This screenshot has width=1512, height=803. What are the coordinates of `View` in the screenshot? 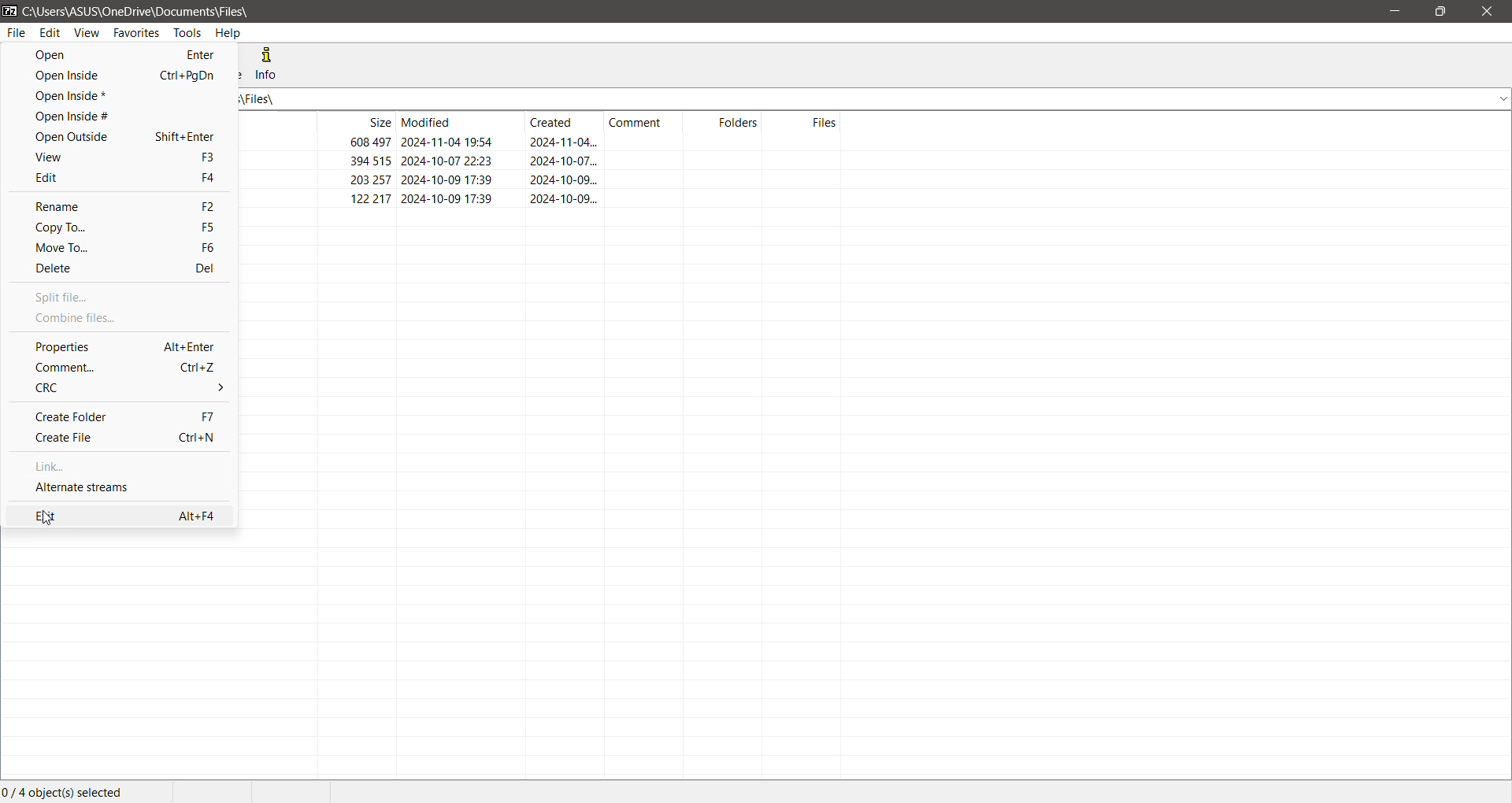 It's located at (124, 157).